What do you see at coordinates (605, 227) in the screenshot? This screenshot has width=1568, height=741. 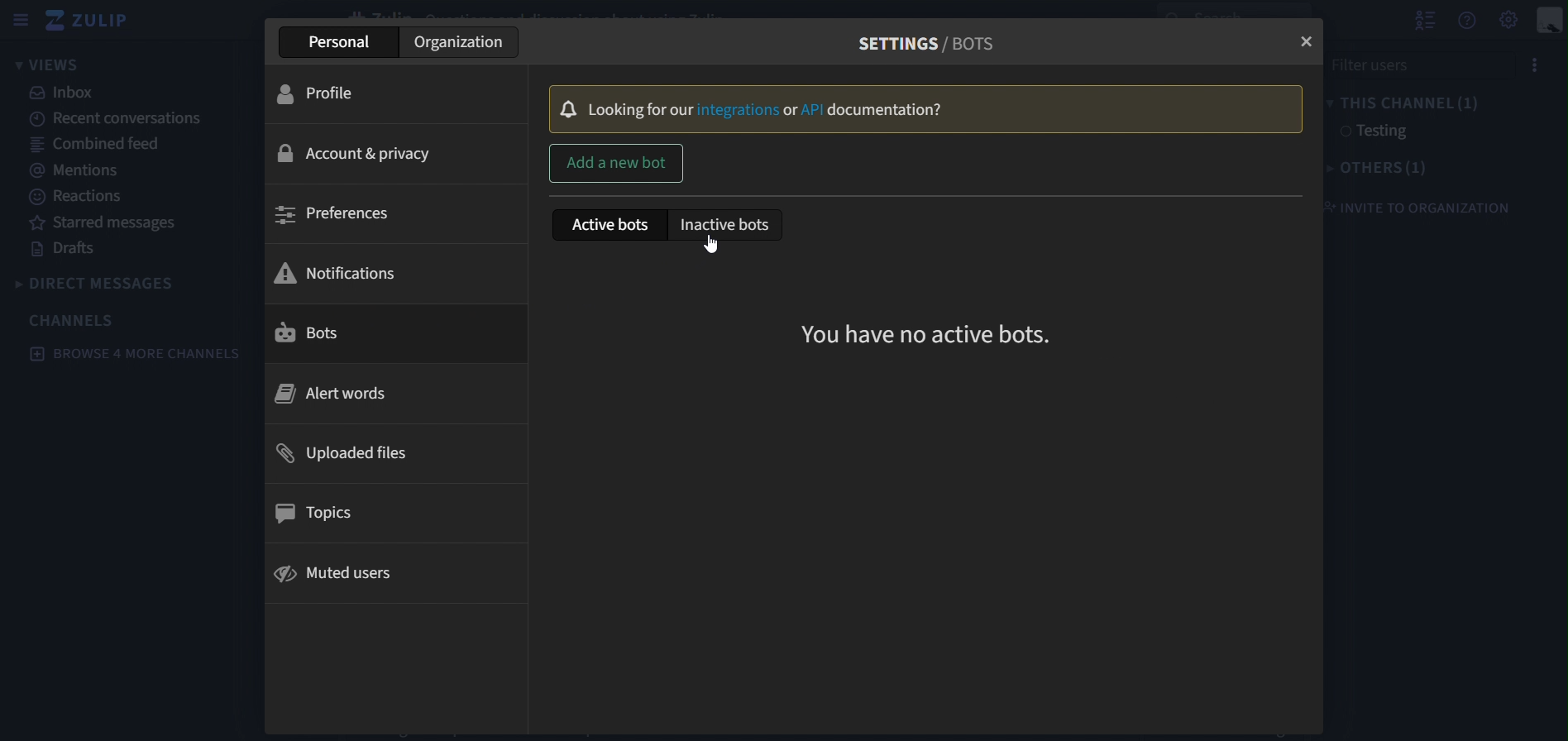 I see `active bots` at bounding box center [605, 227].